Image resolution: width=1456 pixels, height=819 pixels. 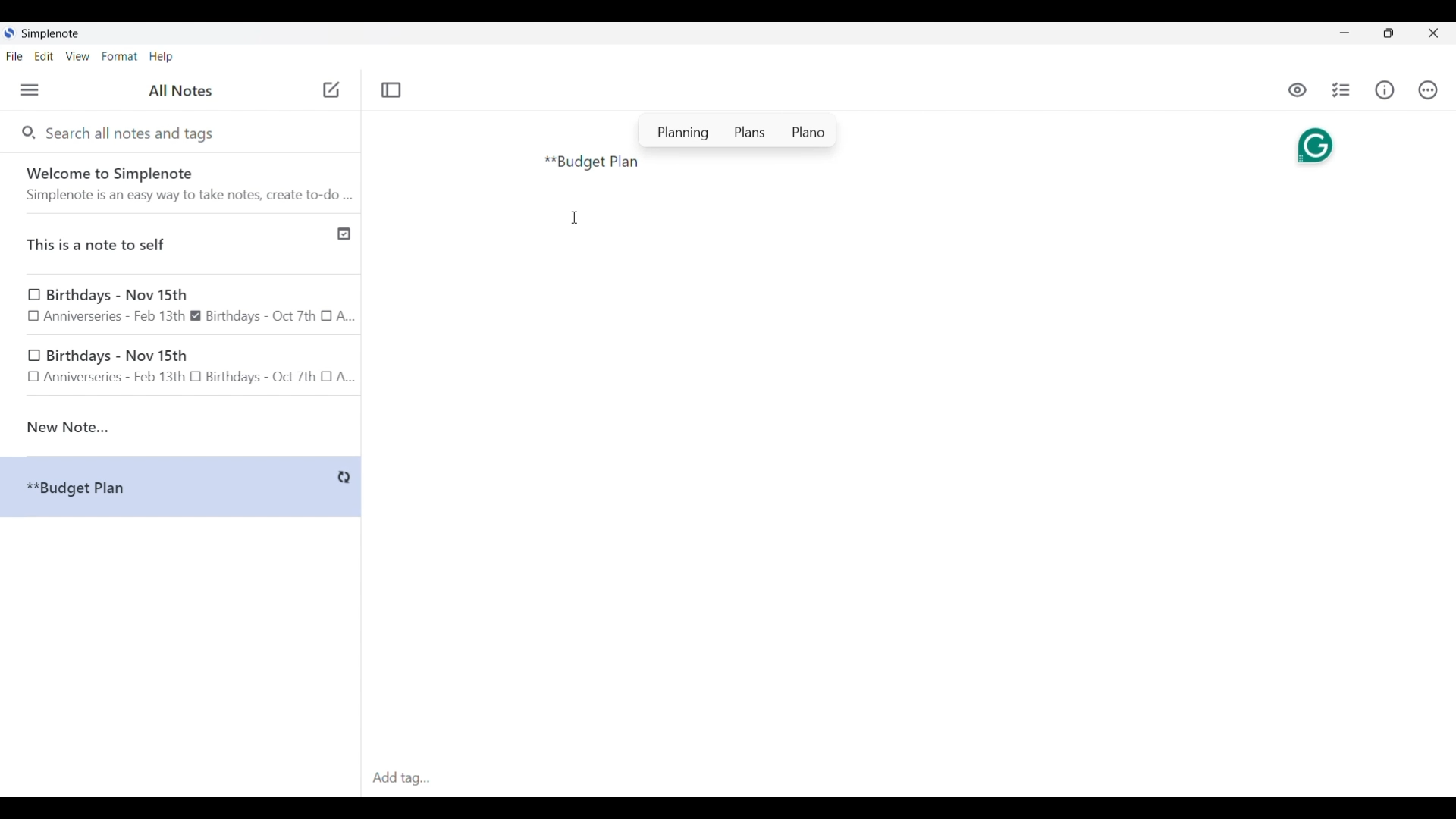 I want to click on Close interface, so click(x=1433, y=33).